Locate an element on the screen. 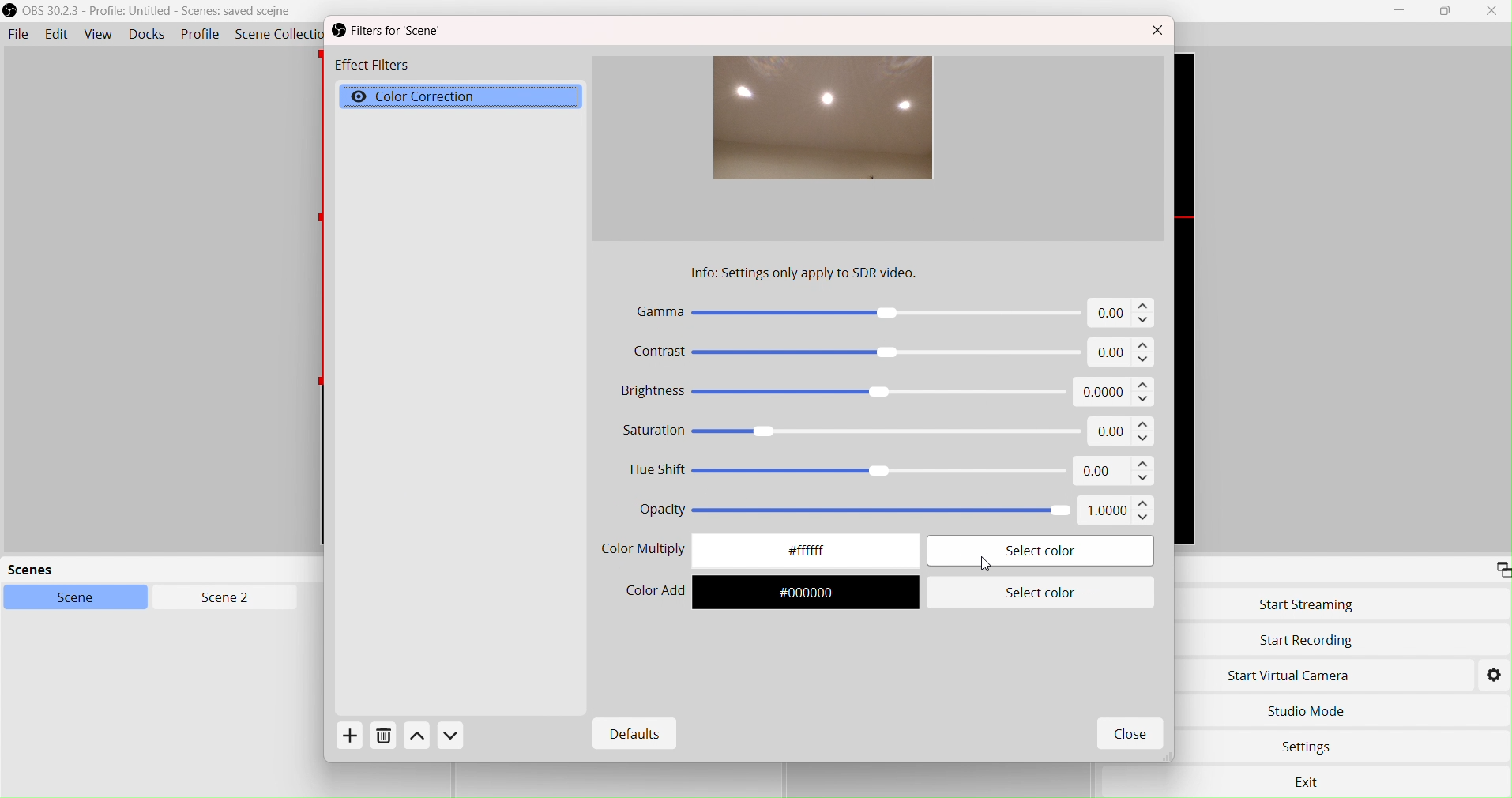 The width and height of the screenshot is (1512, 798). 1 is located at coordinates (1118, 510).